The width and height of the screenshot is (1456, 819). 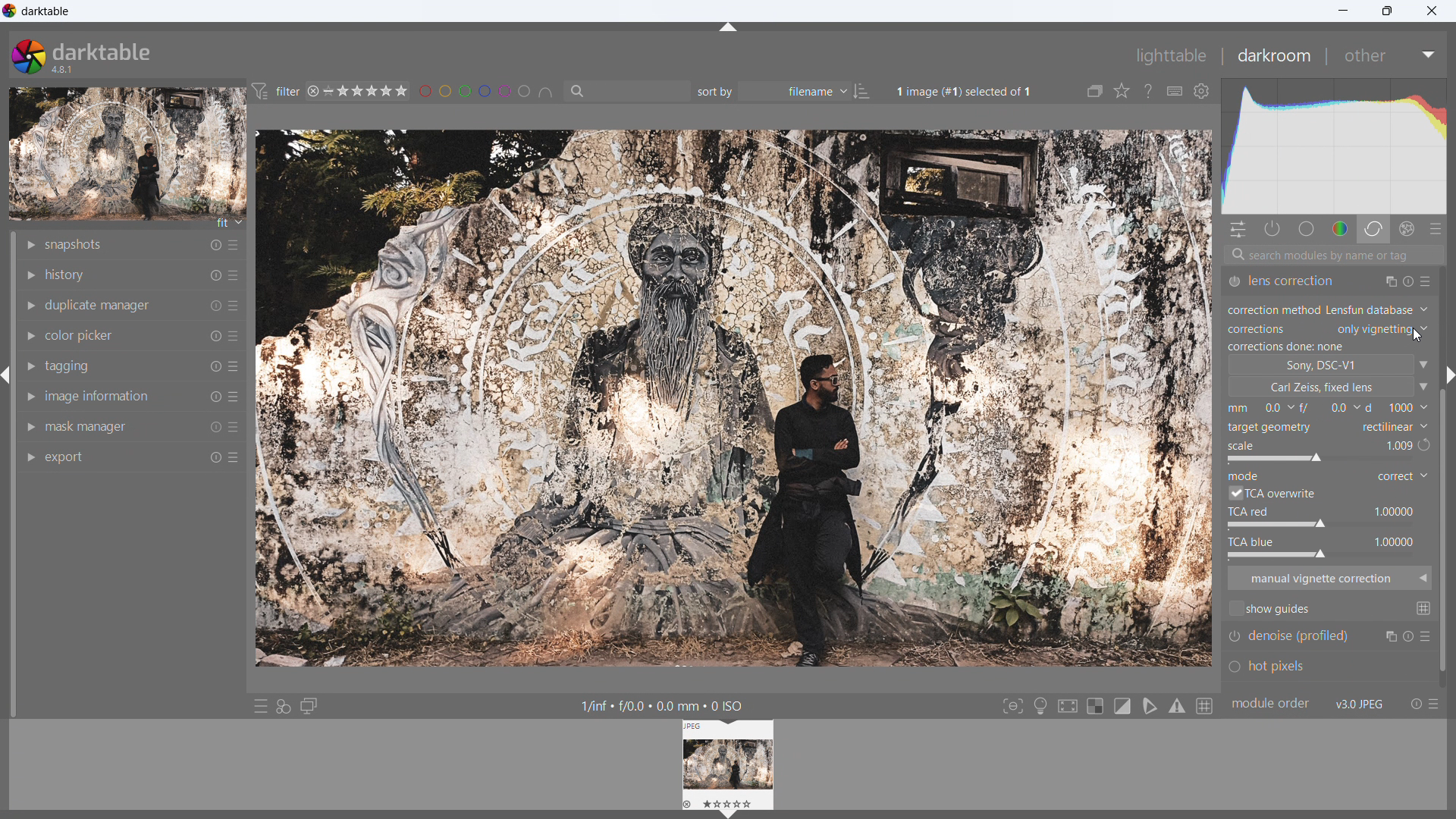 What do you see at coordinates (1270, 610) in the screenshot?
I see `show guides` at bounding box center [1270, 610].